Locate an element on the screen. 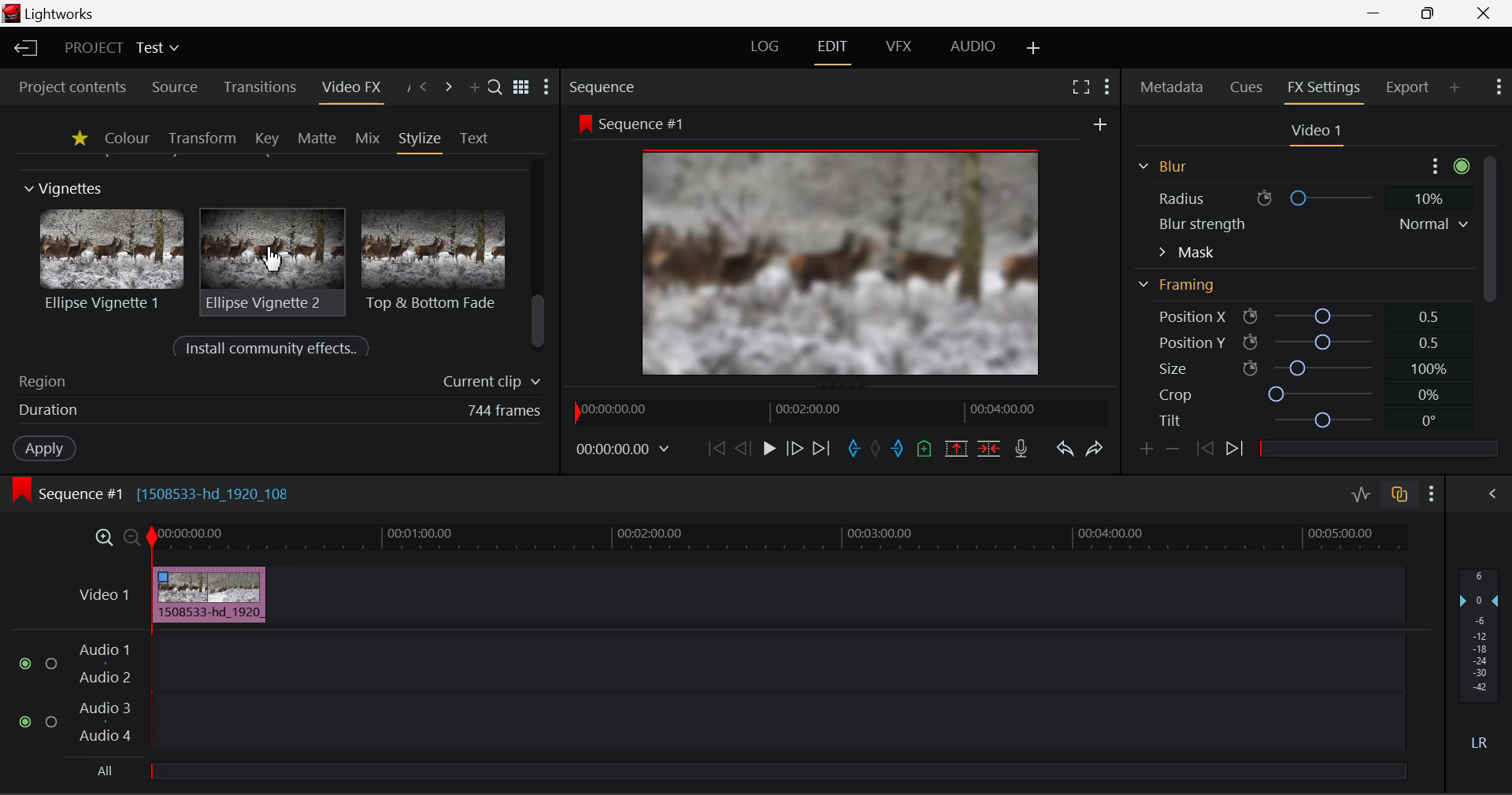 This screenshot has height=795, width=1512. Edit Layout Open is located at coordinates (836, 49).